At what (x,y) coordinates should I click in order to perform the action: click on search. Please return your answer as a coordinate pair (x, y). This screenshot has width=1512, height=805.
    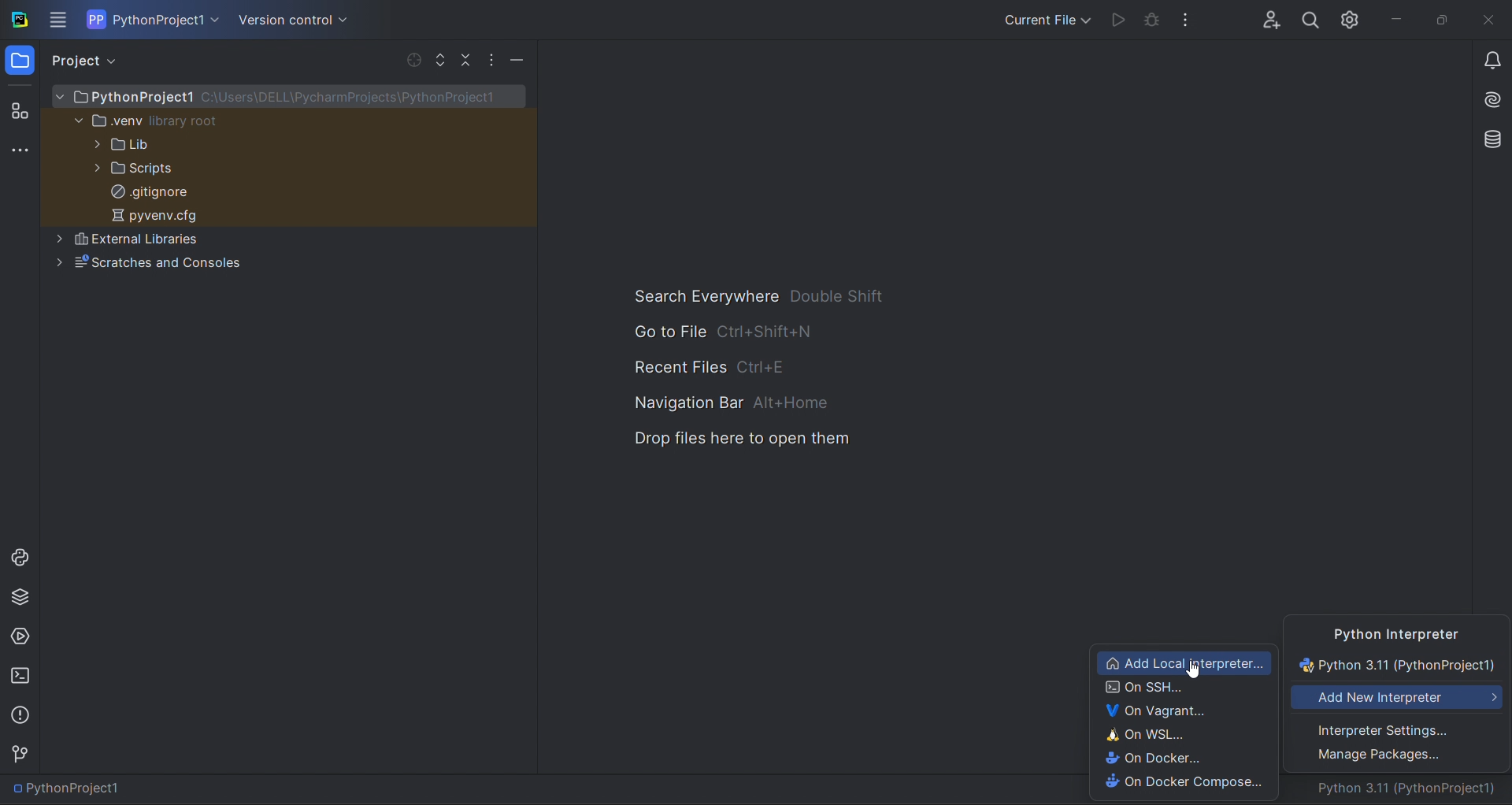
    Looking at the image, I should click on (1310, 17).